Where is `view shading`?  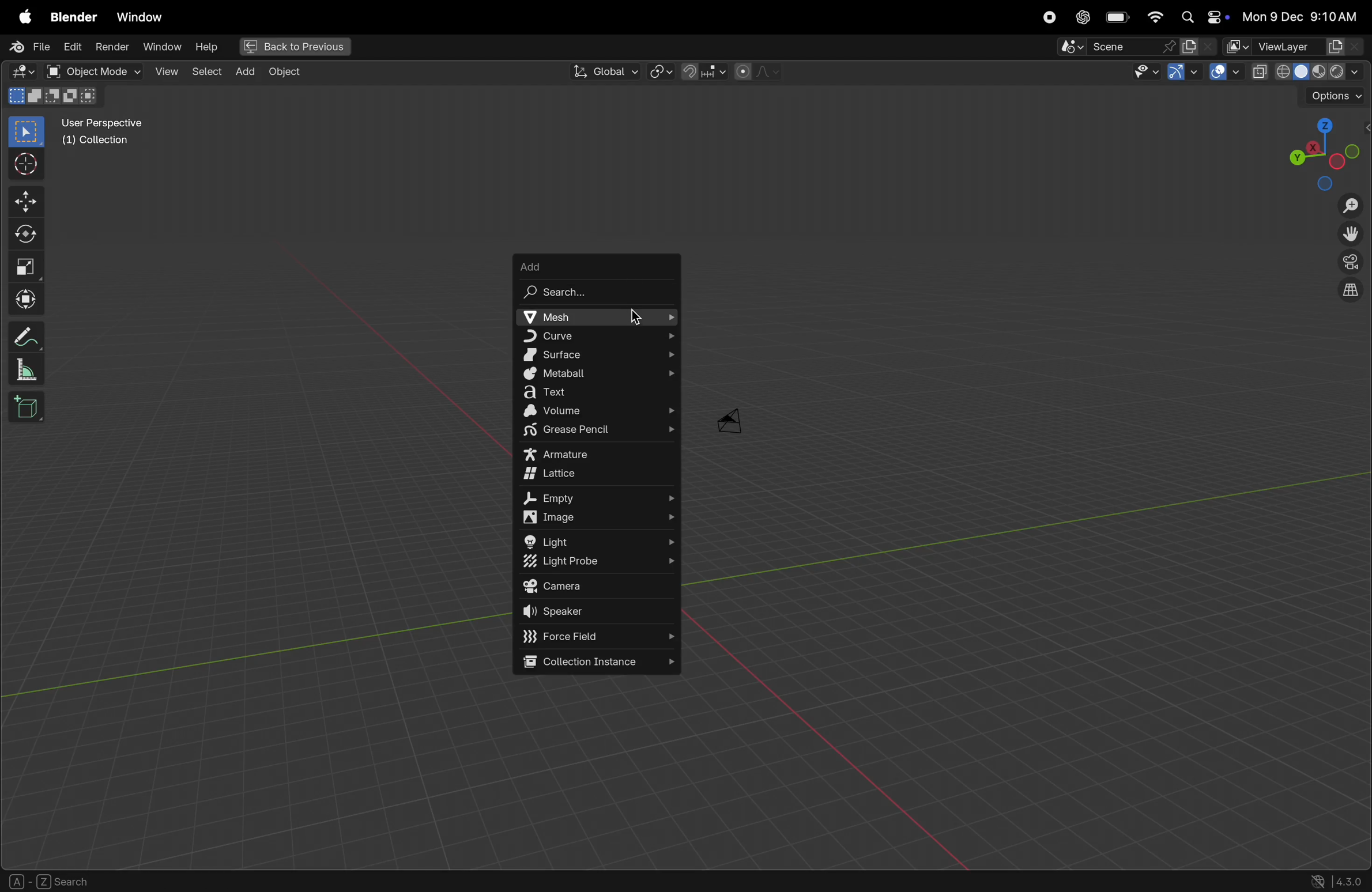
view shading is located at coordinates (1323, 70).